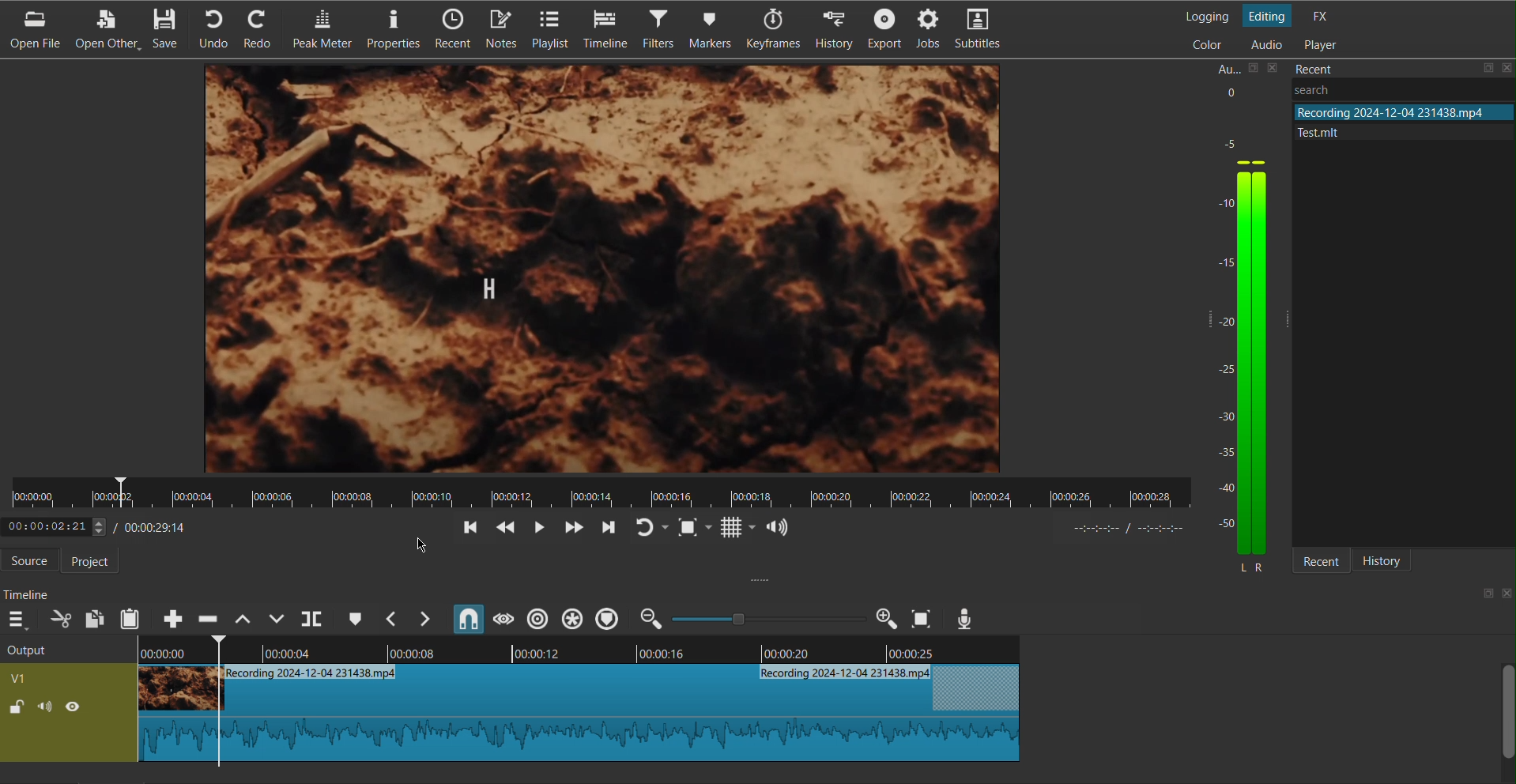  Describe the element at coordinates (541, 528) in the screenshot. I see `Play` at that location.